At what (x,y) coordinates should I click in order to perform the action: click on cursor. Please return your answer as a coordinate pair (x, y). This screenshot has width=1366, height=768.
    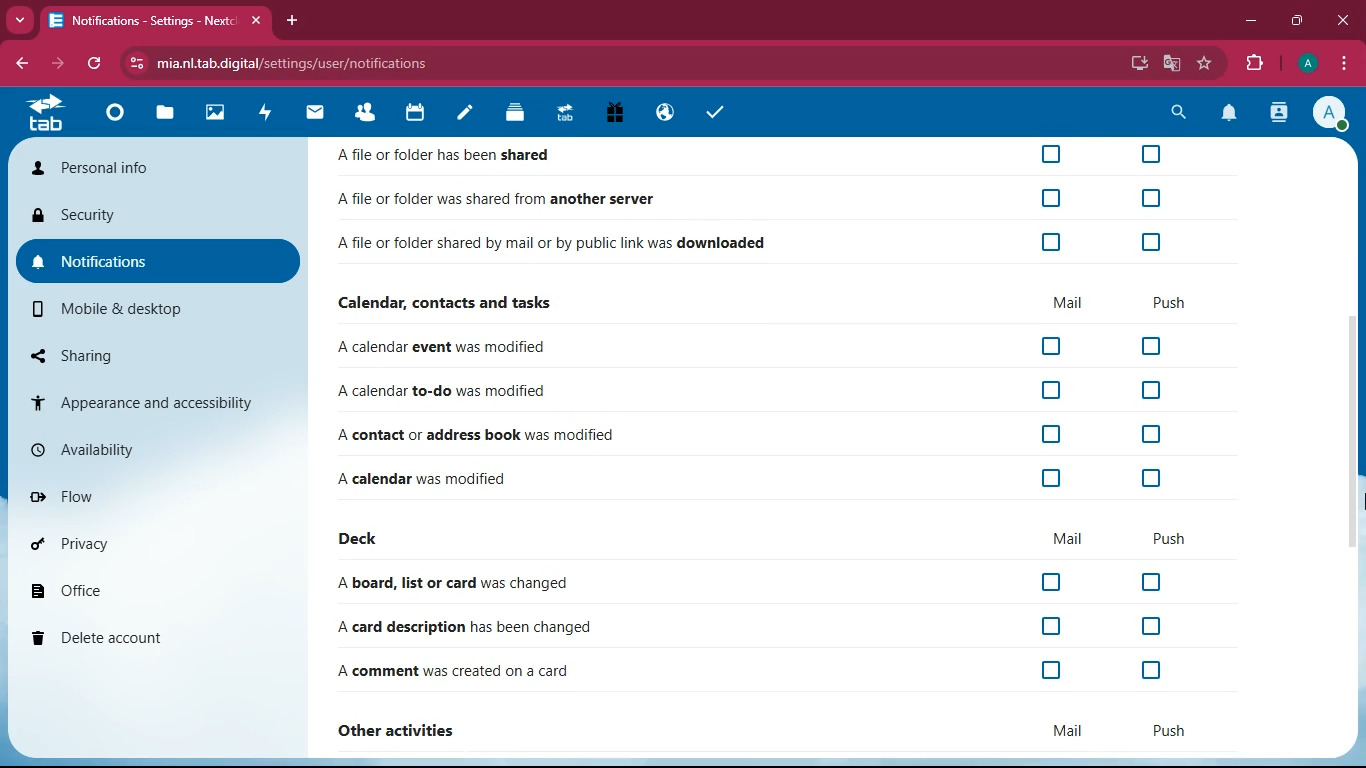
    Looking at the image, I should click on (1357, 499).